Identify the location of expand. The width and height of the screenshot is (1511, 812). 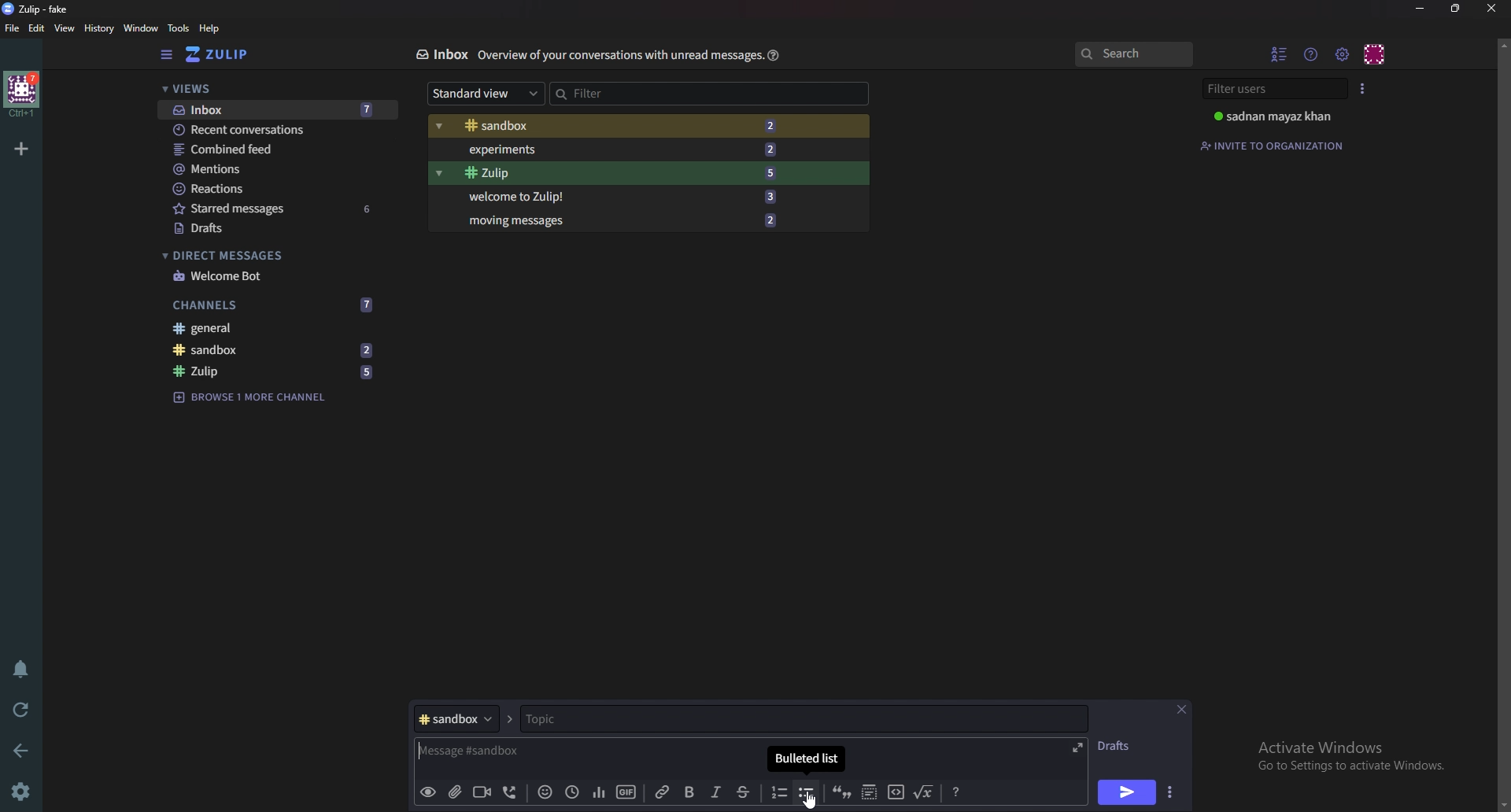
(1075, 747).